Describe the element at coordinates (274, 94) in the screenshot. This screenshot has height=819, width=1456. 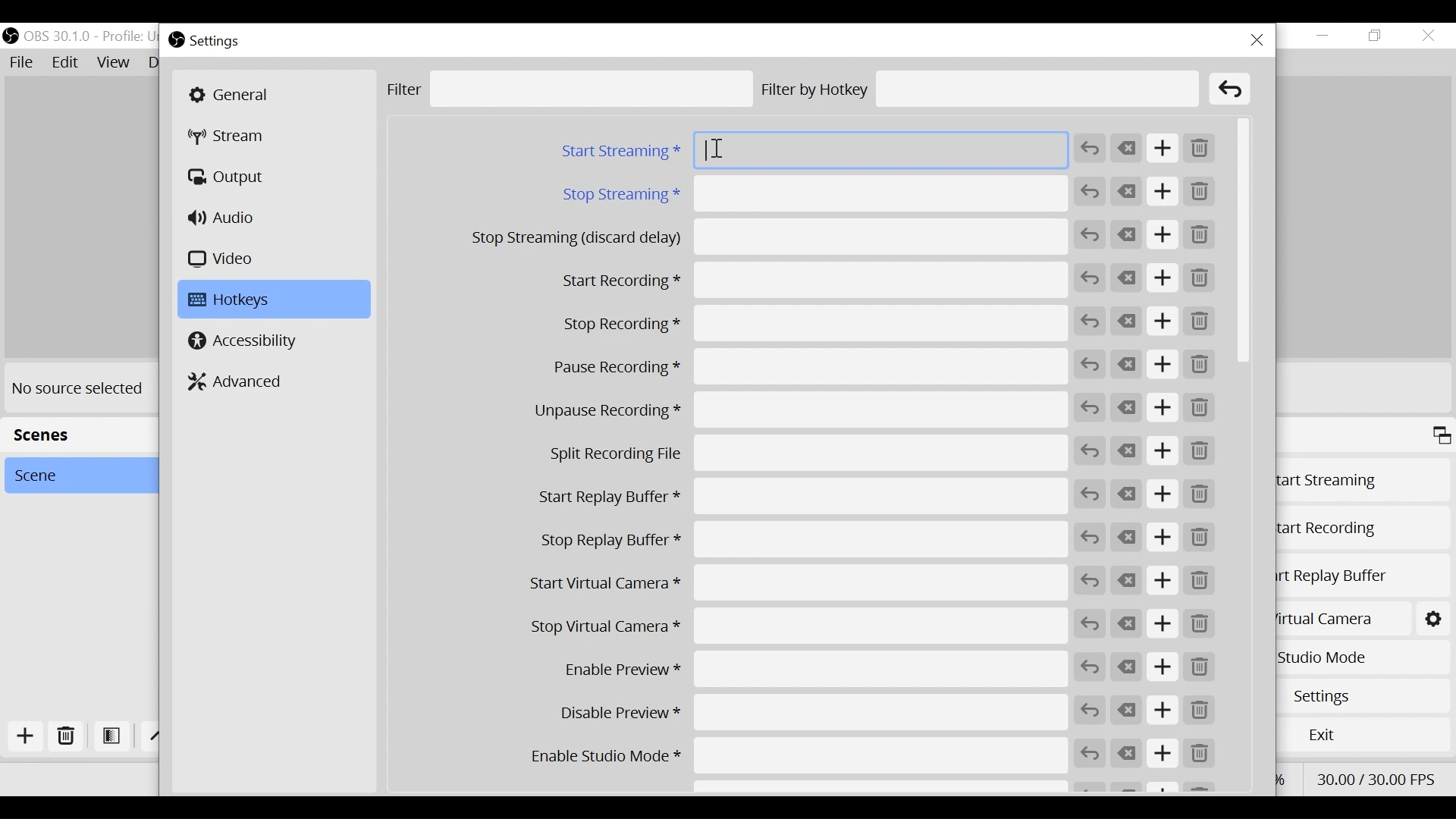
I see `General` at that location.